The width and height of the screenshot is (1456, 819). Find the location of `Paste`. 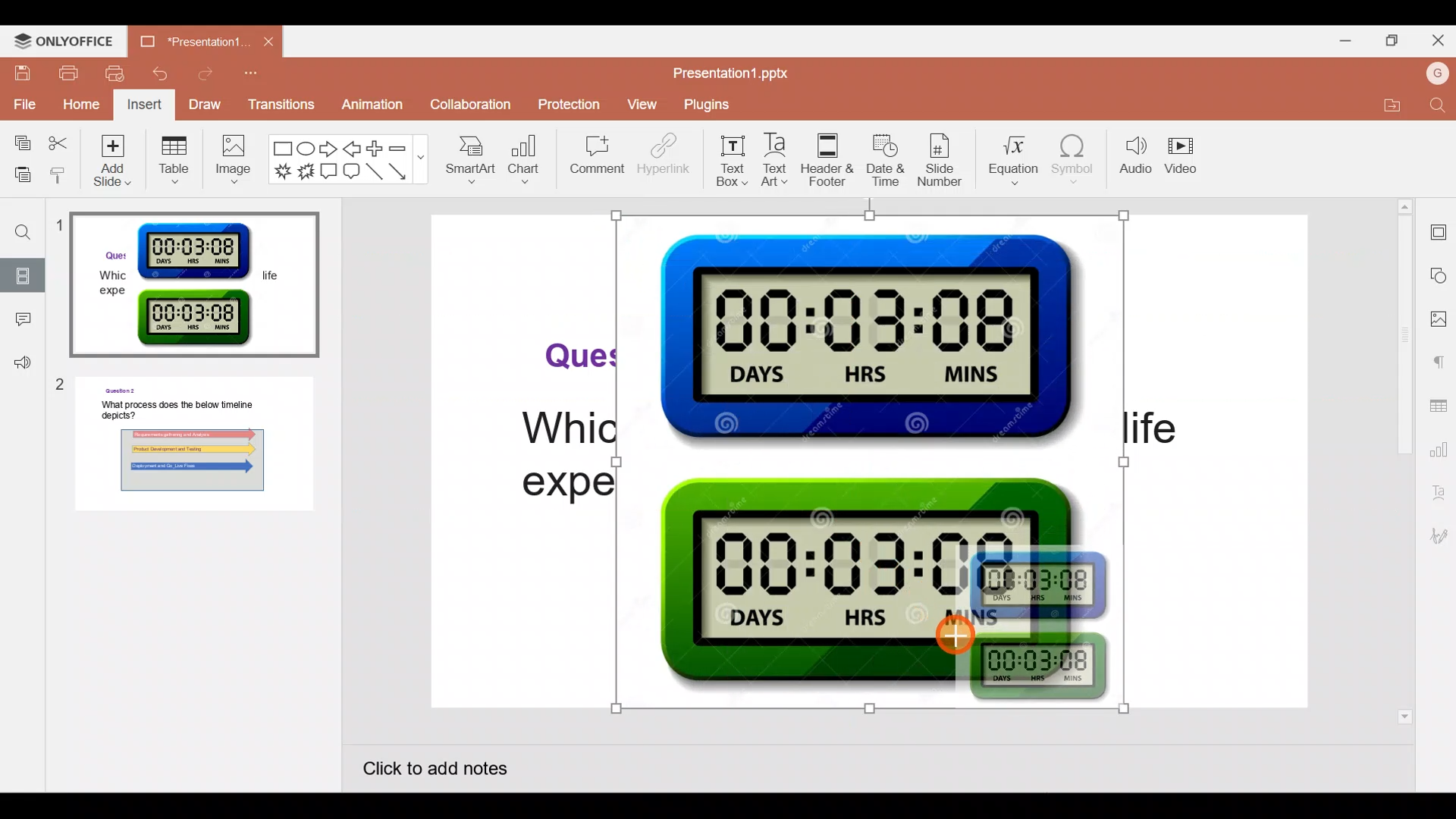

Paste is located at coordinates (19, 171).